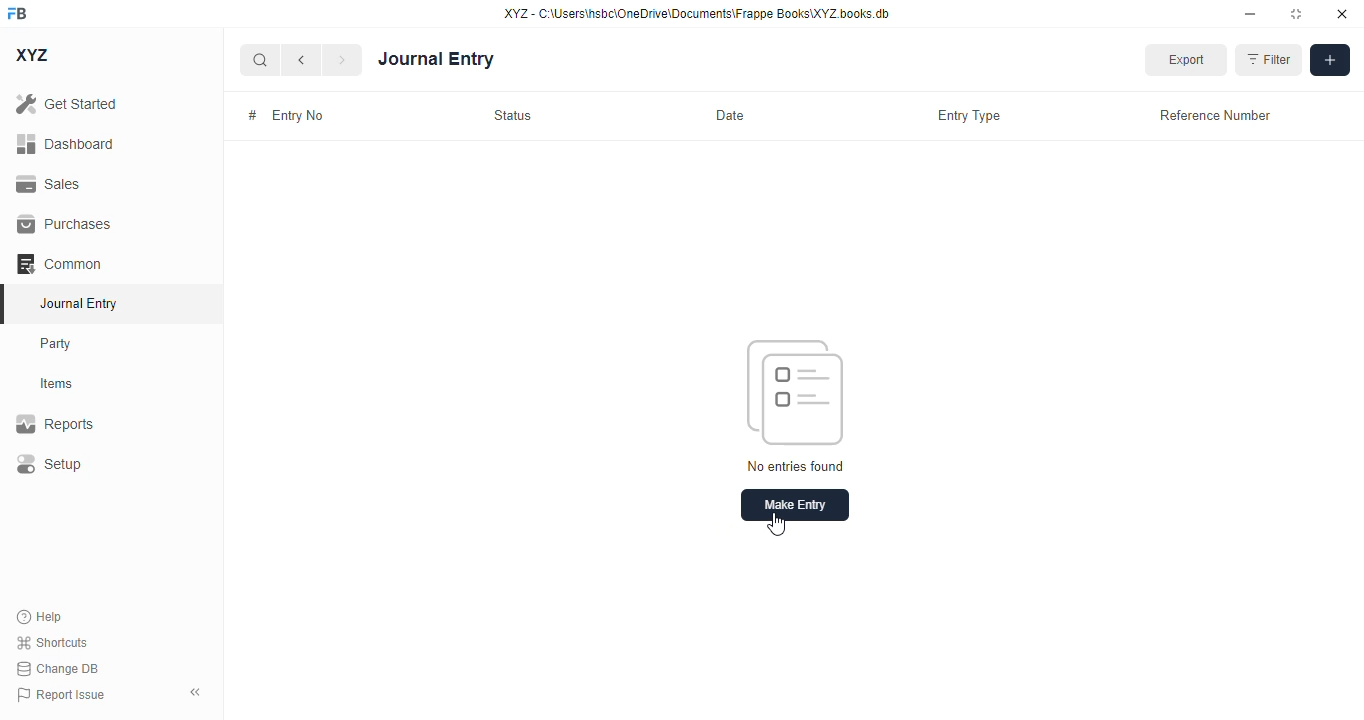  What do you see at coordinates (1215, 115) in the screenshot?
I see `reference number` at bounding box center [1215, 115].